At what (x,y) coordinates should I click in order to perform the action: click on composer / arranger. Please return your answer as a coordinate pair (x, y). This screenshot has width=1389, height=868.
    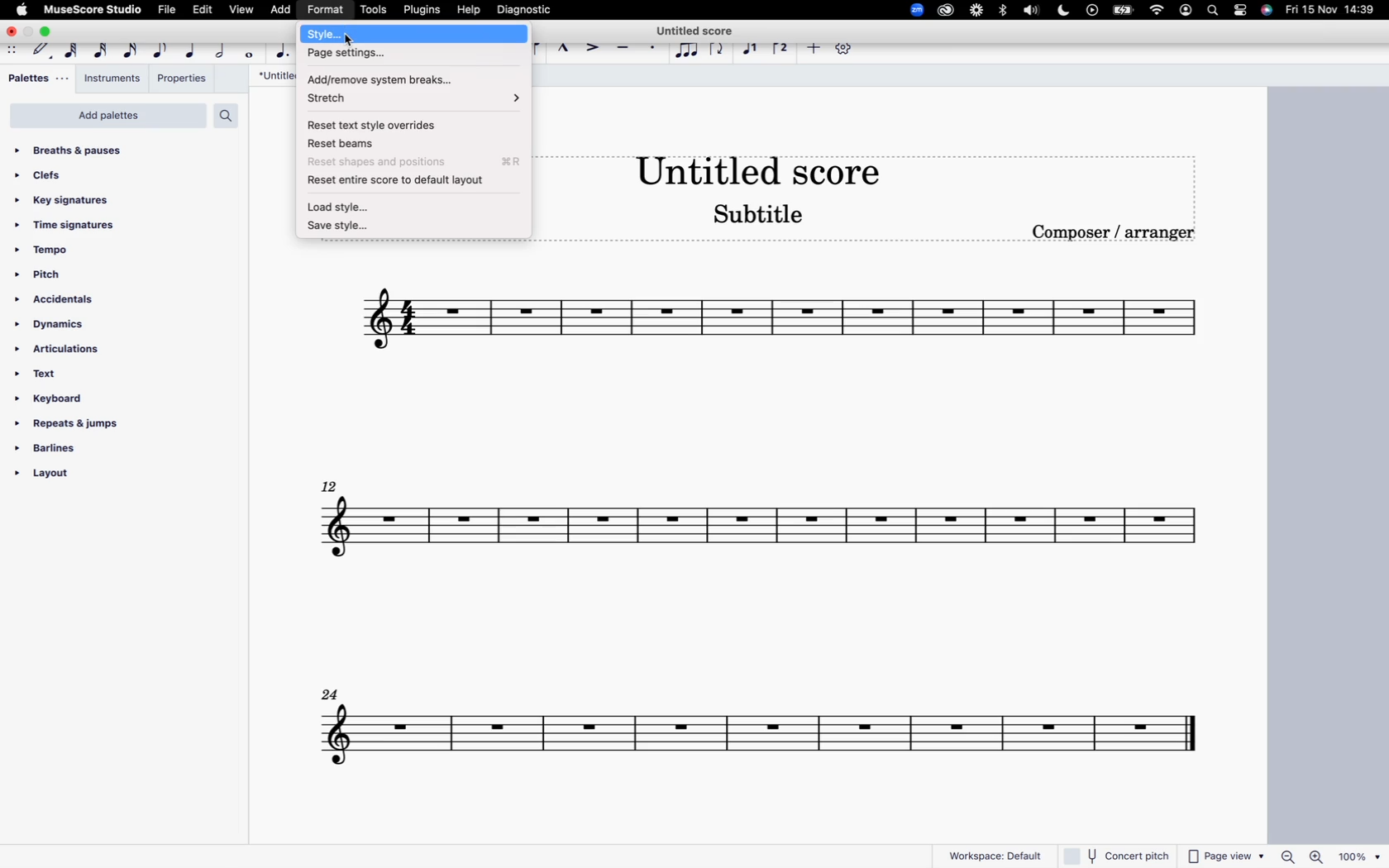
    Looking at the image, I should click on (1119, 234).